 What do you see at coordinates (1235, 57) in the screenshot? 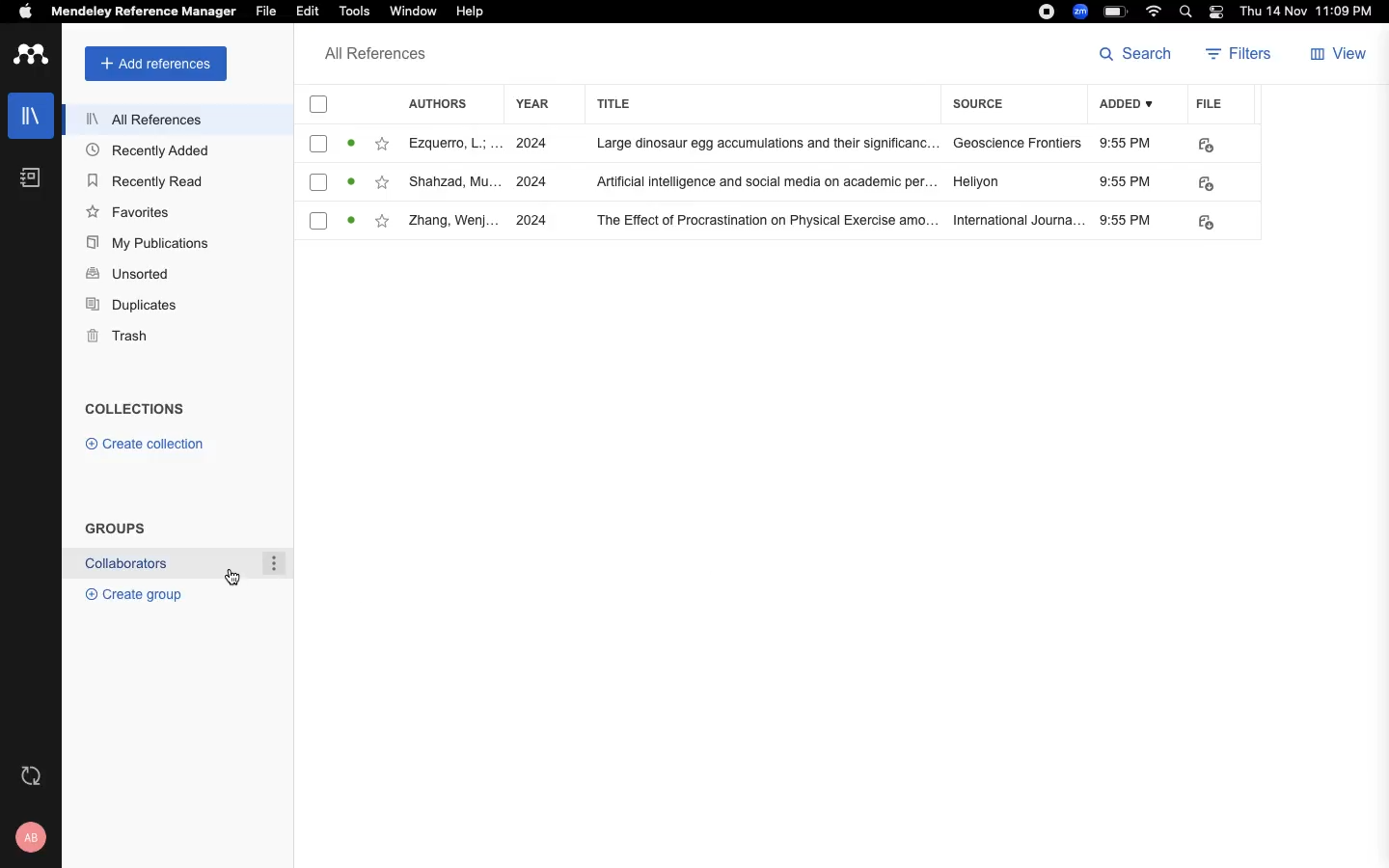
I see `filters` at bounding box center [1235, 57].